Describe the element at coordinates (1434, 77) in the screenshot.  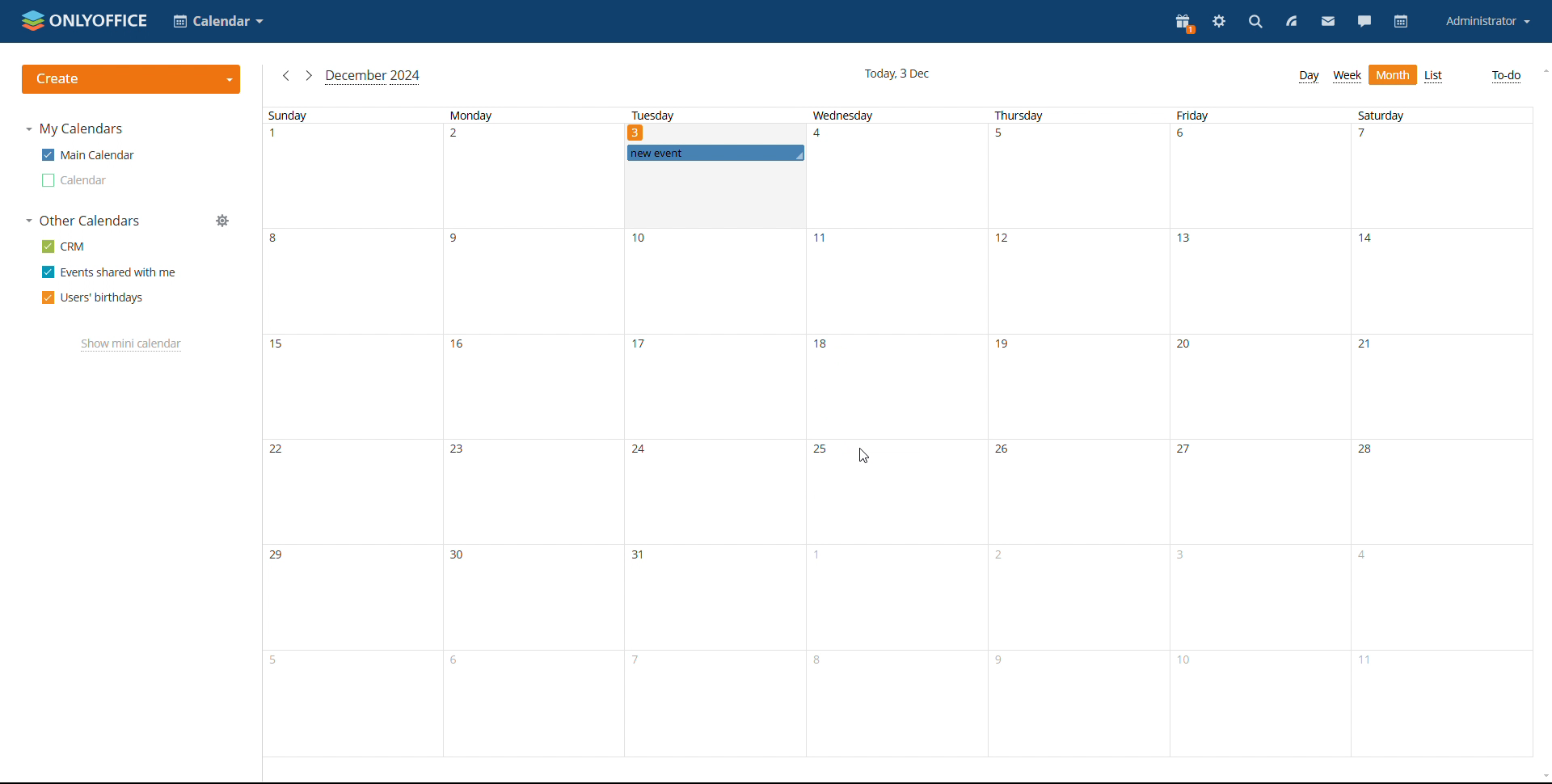
I see `list view` at that location.